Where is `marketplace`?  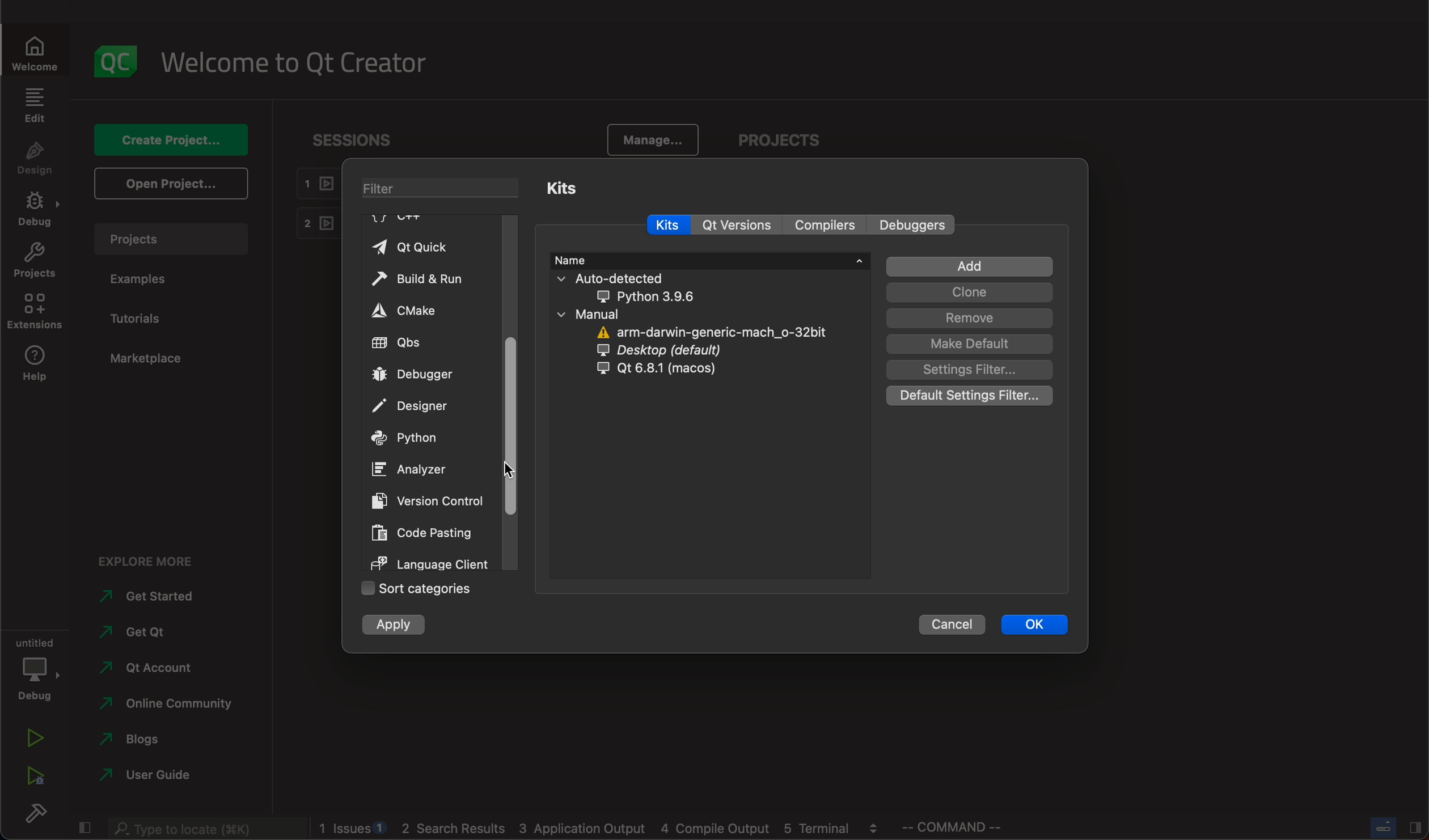 marketplace is located at coordinates (153, 360).